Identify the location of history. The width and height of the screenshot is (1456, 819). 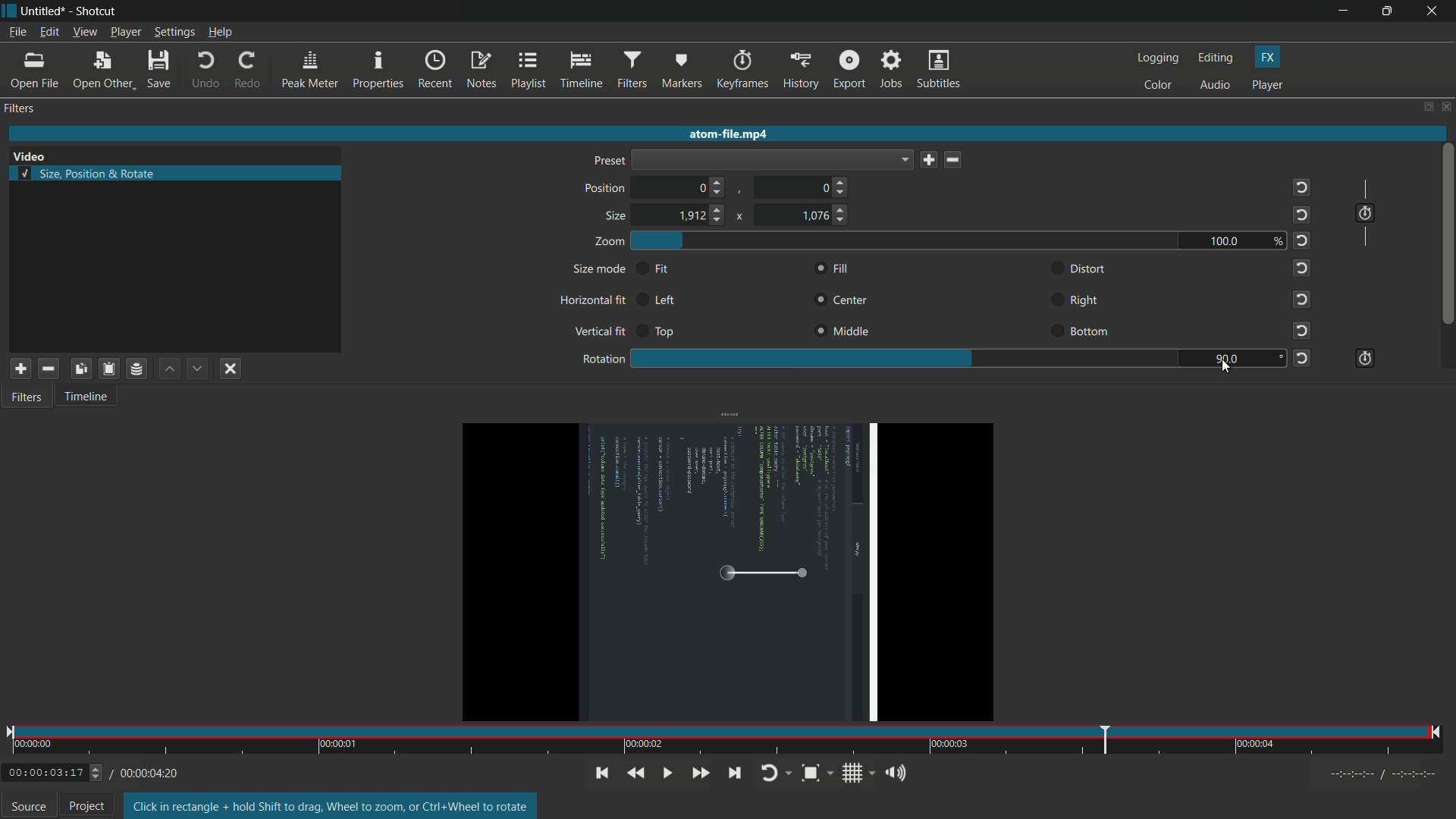
(800, 71).